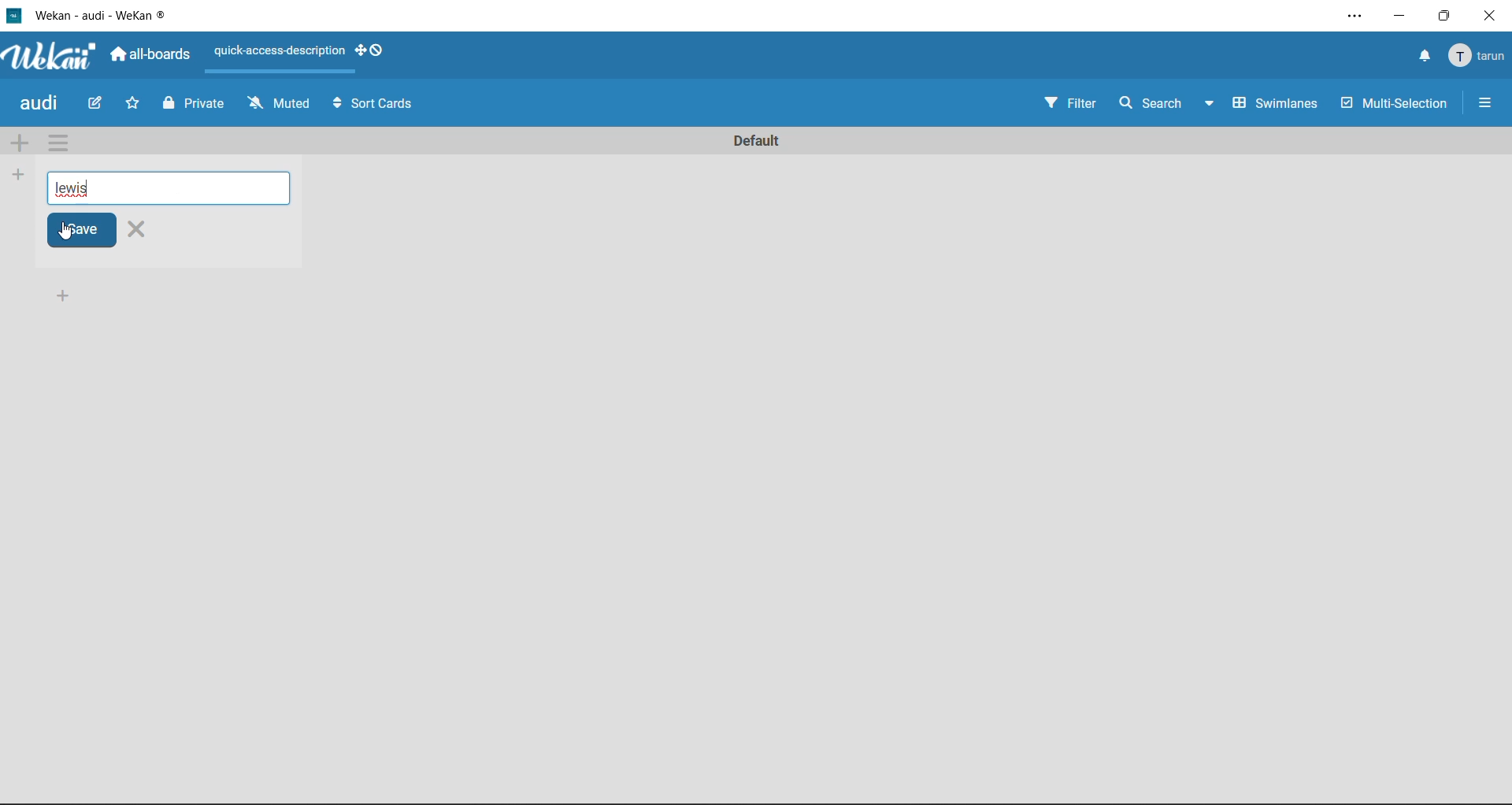 The image size is (1512, 805). Describe the element at coordinates (46, 57) in the screenshot. I see `Wekan` at that location.